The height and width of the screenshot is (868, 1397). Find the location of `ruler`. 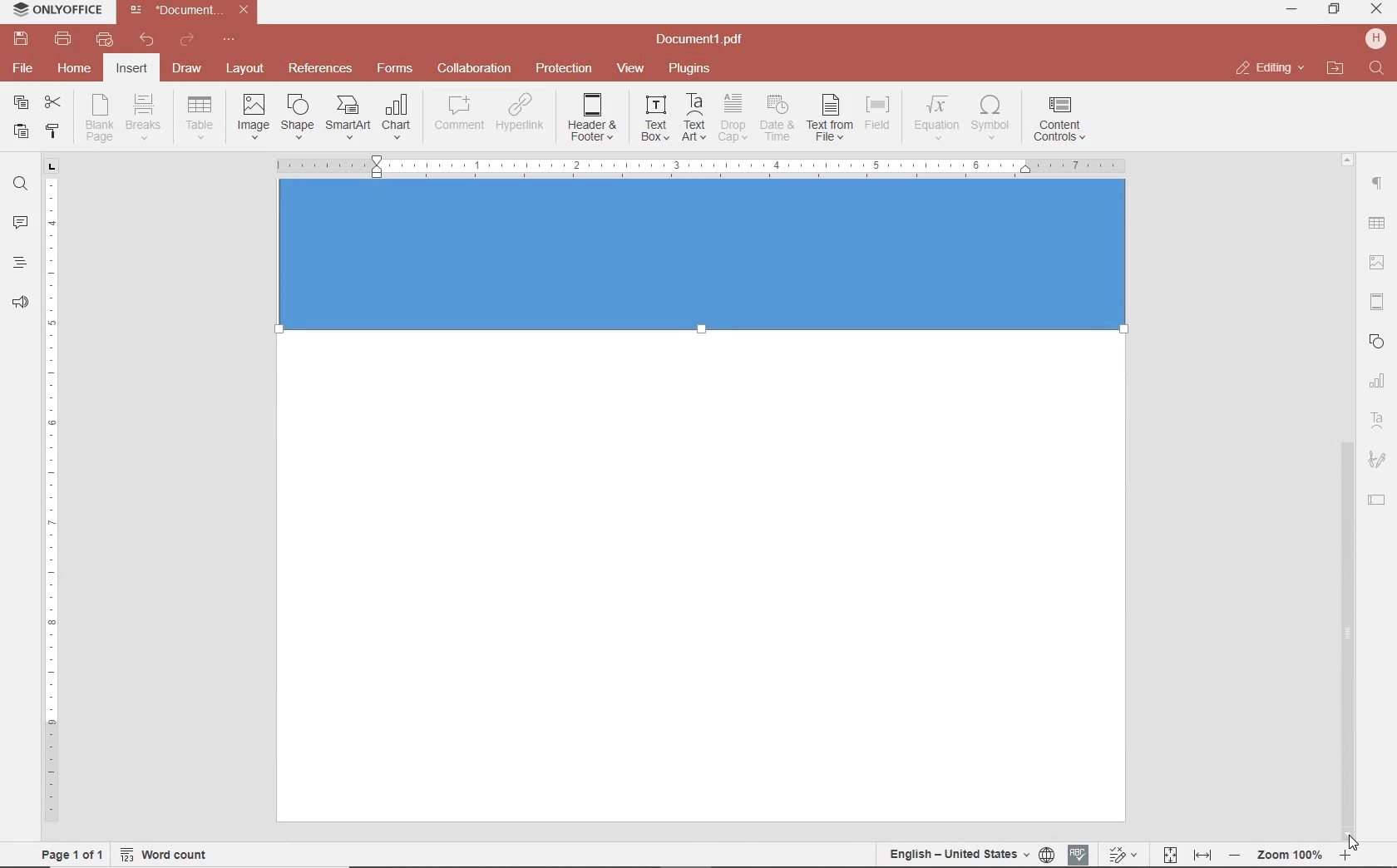

ruler is located at coordinates (52, 508).